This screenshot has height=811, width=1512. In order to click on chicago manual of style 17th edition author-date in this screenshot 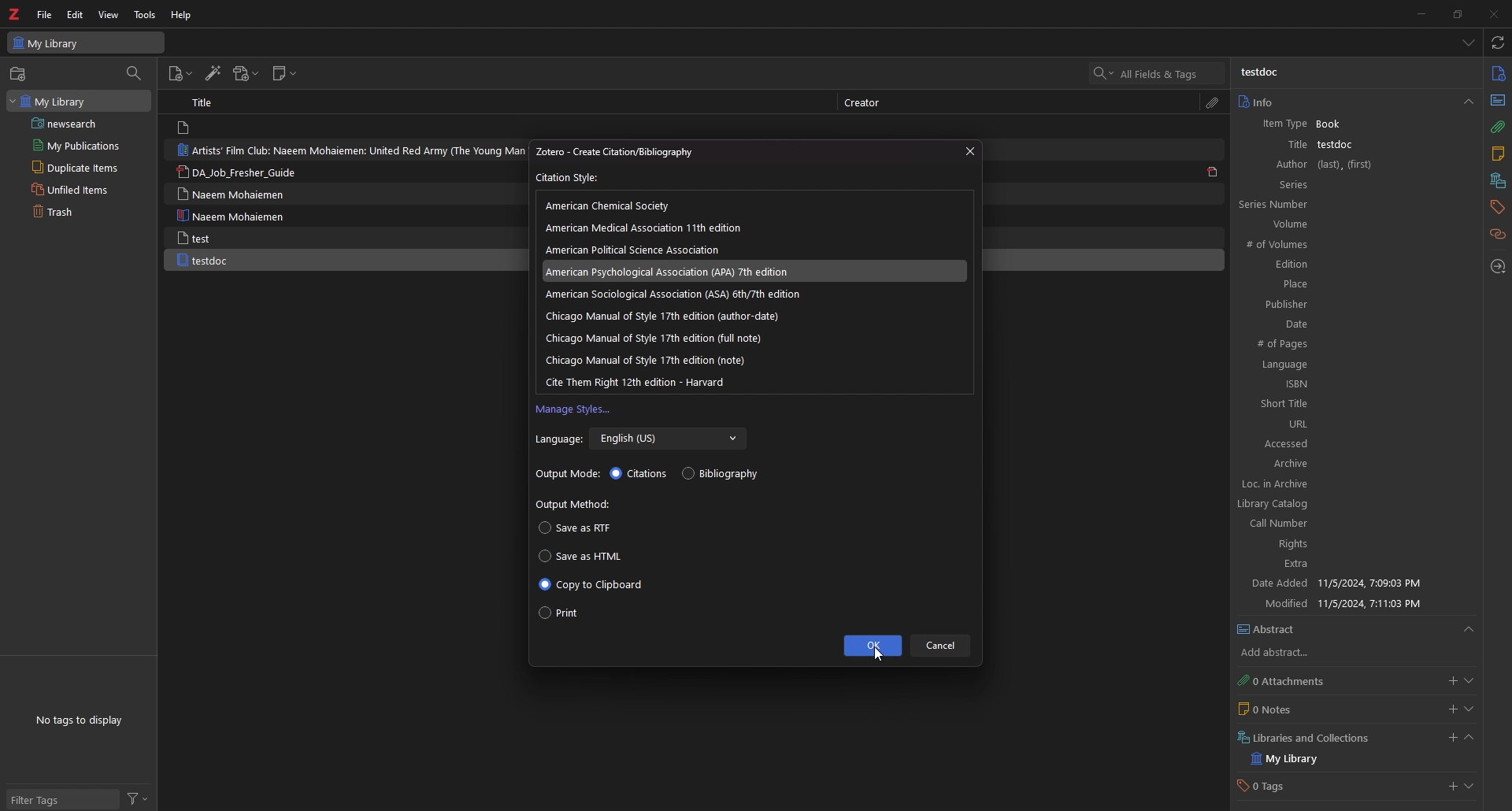, I will do `click(661, 316)`.